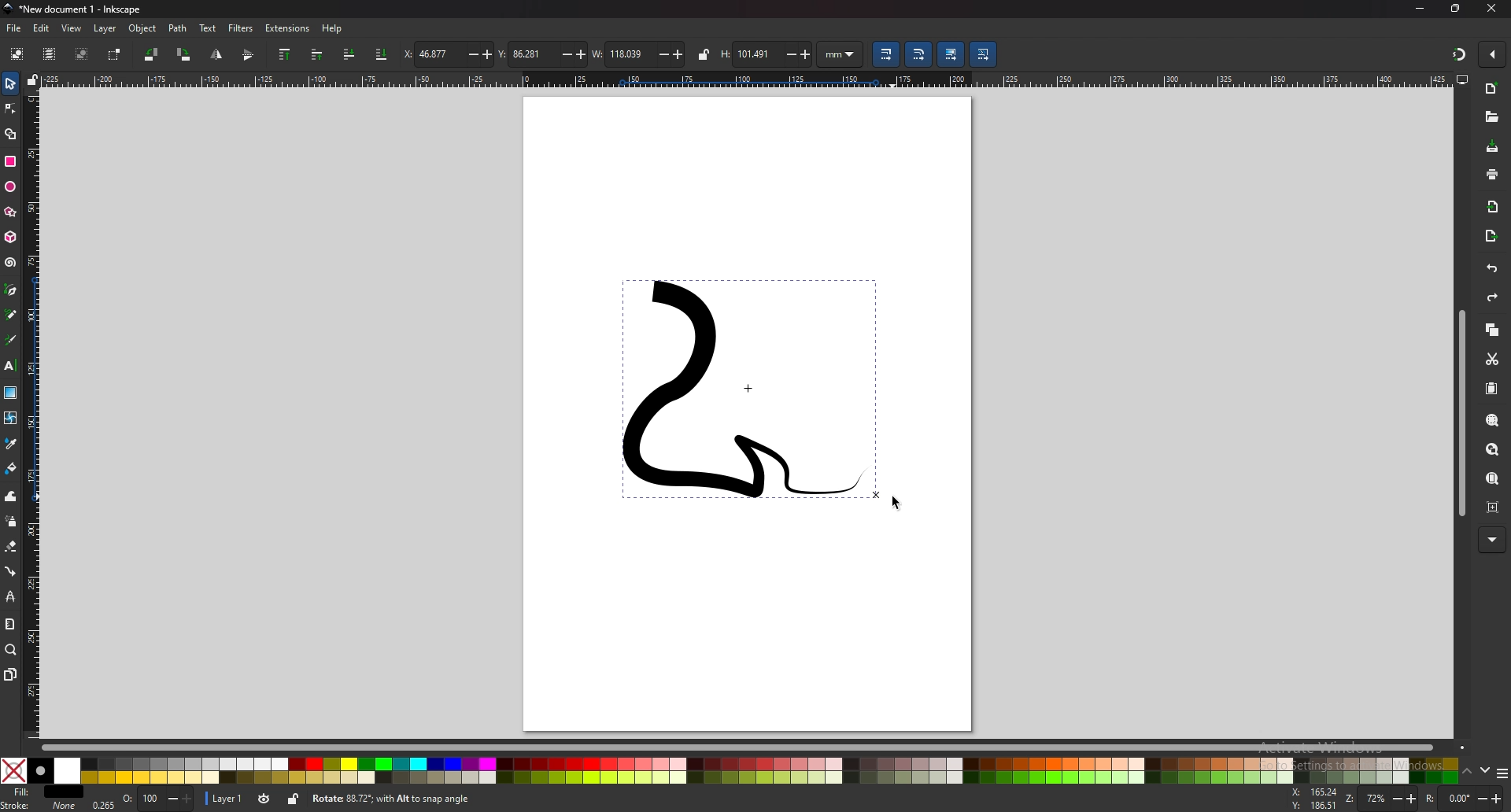 The height and width of the screenshot is (812, 1511). What do you see at coordinates (10, 212) in the screenshot?
I see `stars and polygons` at bounding box center [10, 212].